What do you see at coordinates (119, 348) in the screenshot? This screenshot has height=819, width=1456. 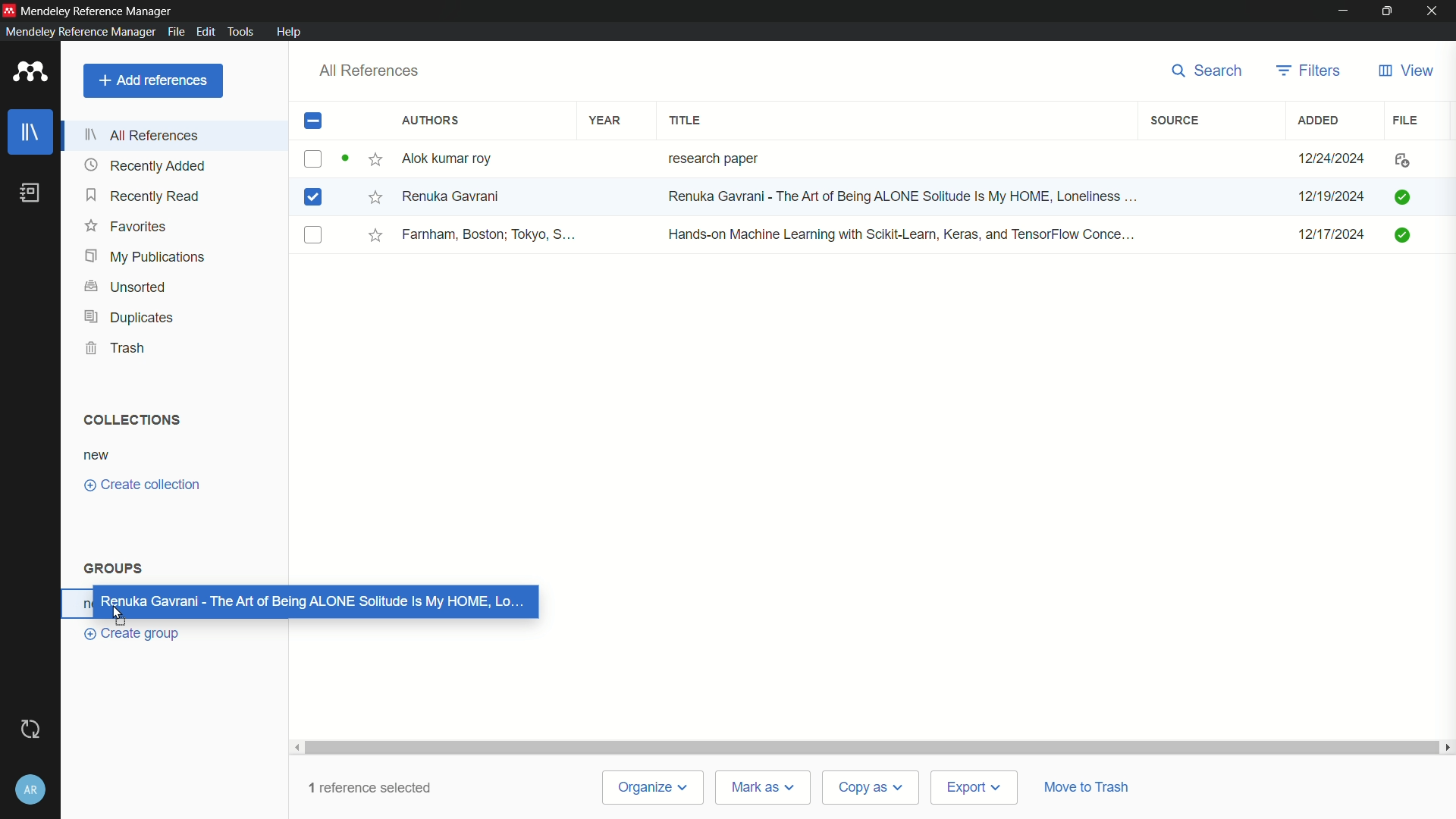 I see `trash` at bounding box center [119, 348].